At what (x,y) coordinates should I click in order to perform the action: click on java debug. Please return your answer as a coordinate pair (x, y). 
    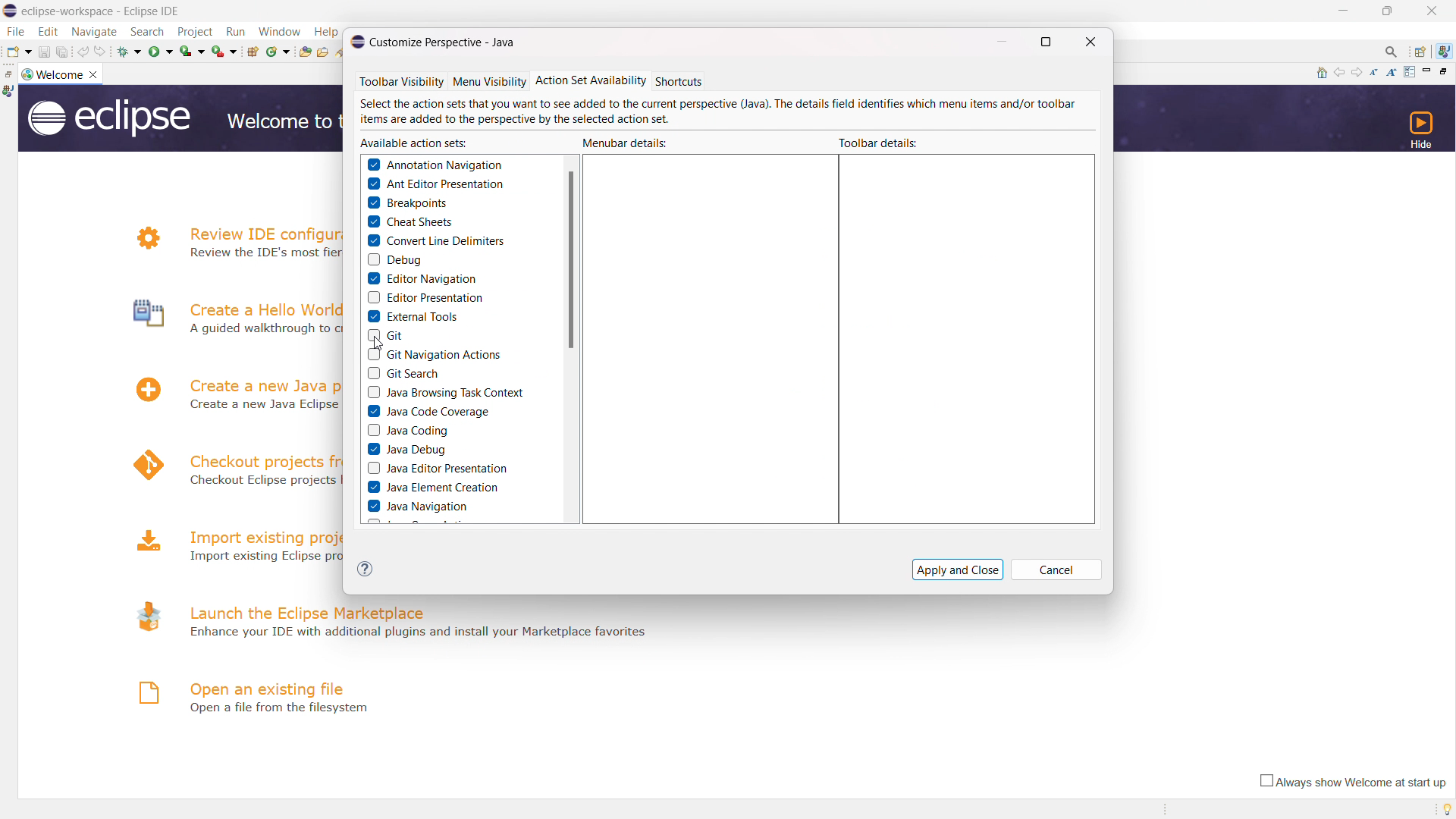
    Looking at the image, I should click on (405, 449).